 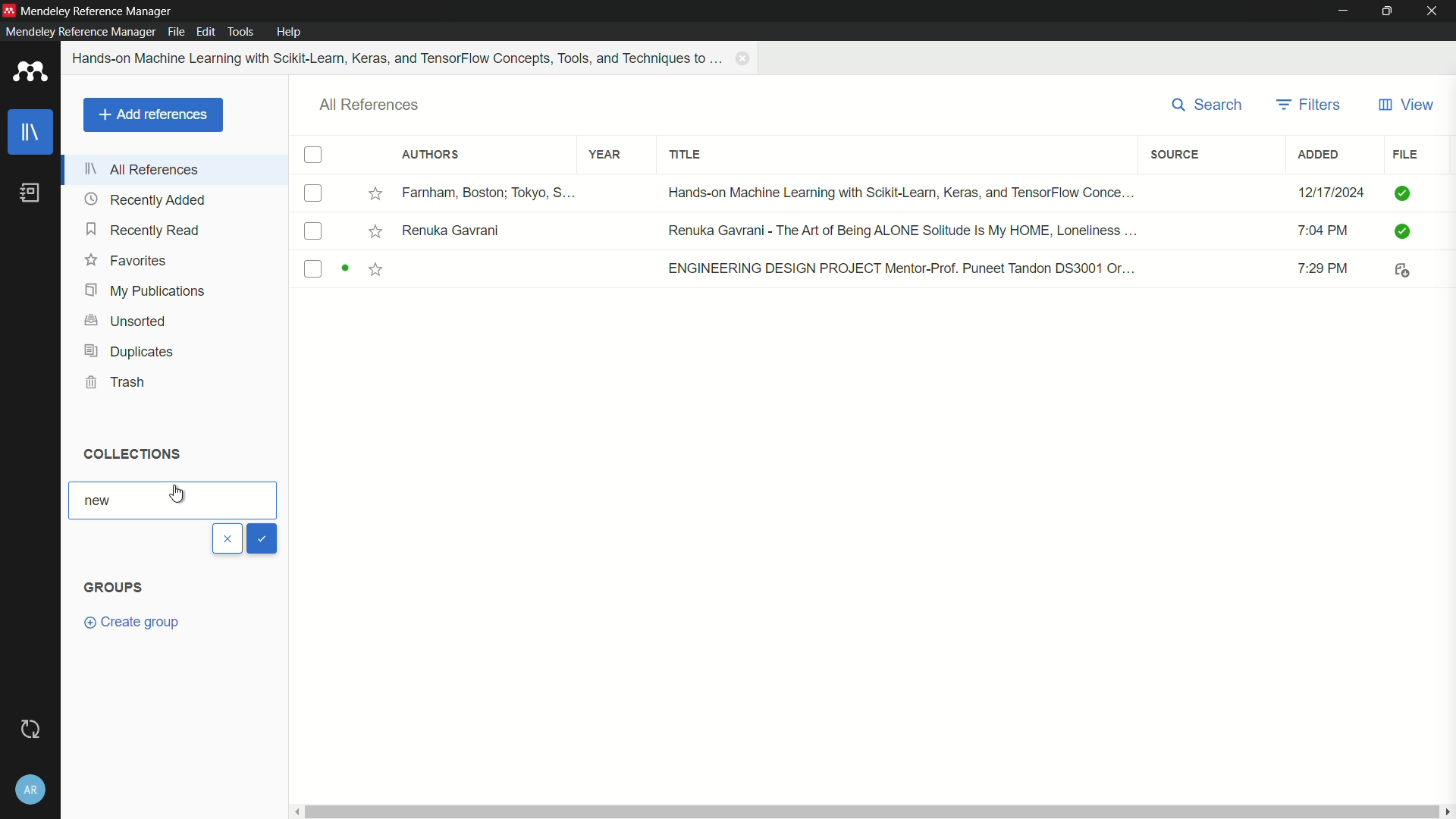 What do you see at coordinates (130, 351) in the screenshot?
I see `duplicates` at bounding box center [130, 351].